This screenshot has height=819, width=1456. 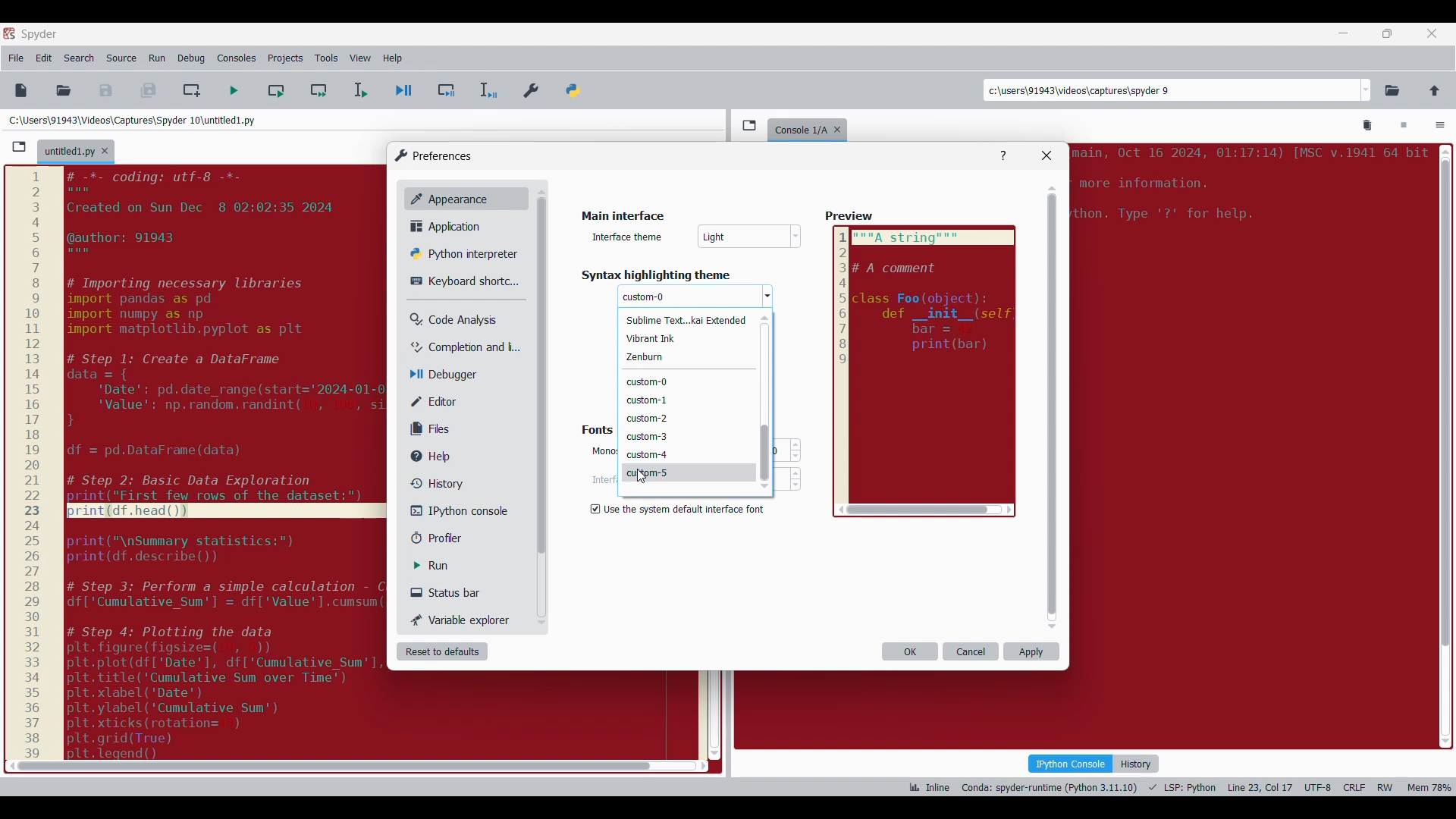 I want to click on Close, so click(x=1046, y=155).